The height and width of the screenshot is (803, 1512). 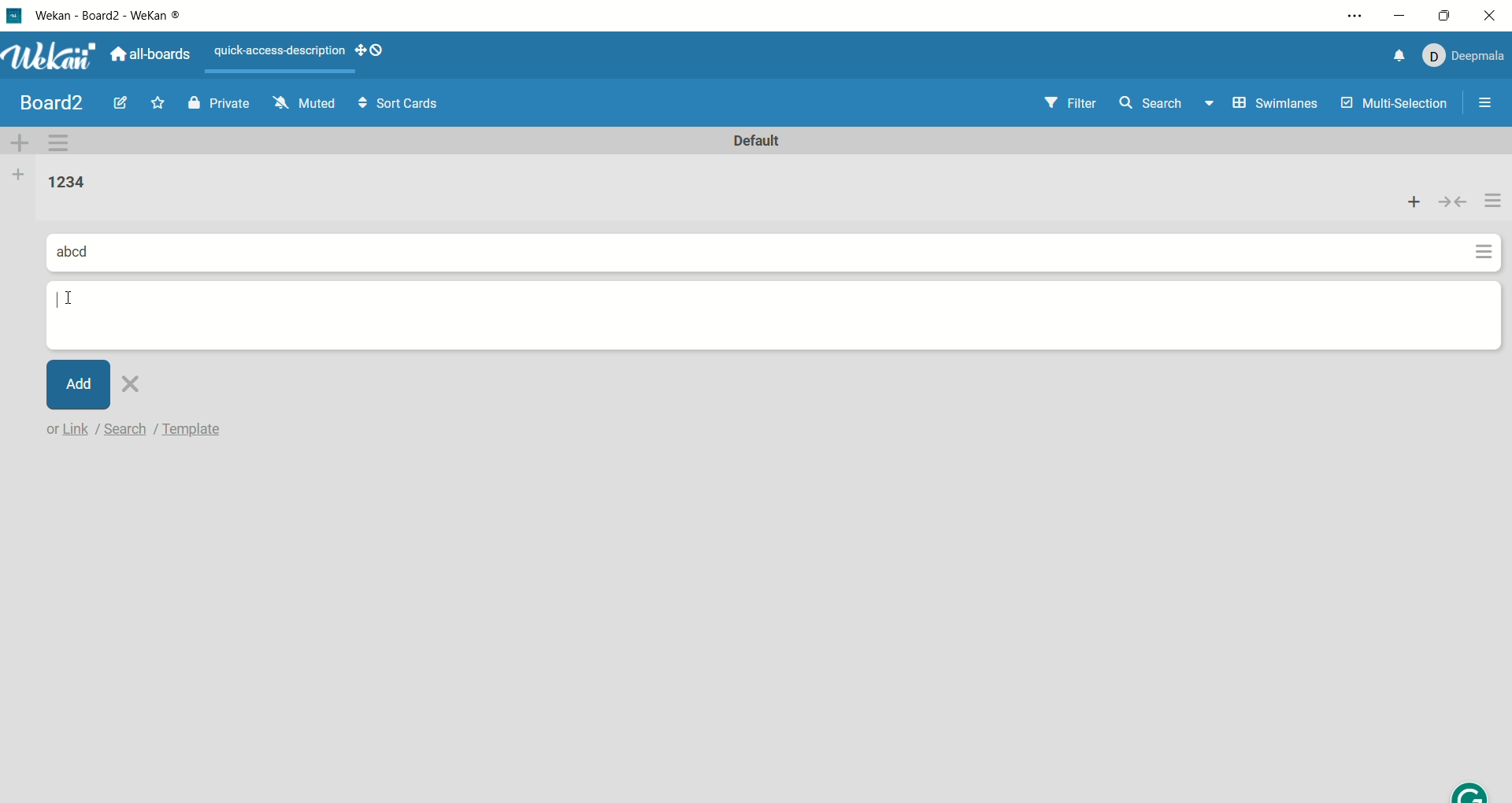 I want to click on account, so click(x=1463, y=53).